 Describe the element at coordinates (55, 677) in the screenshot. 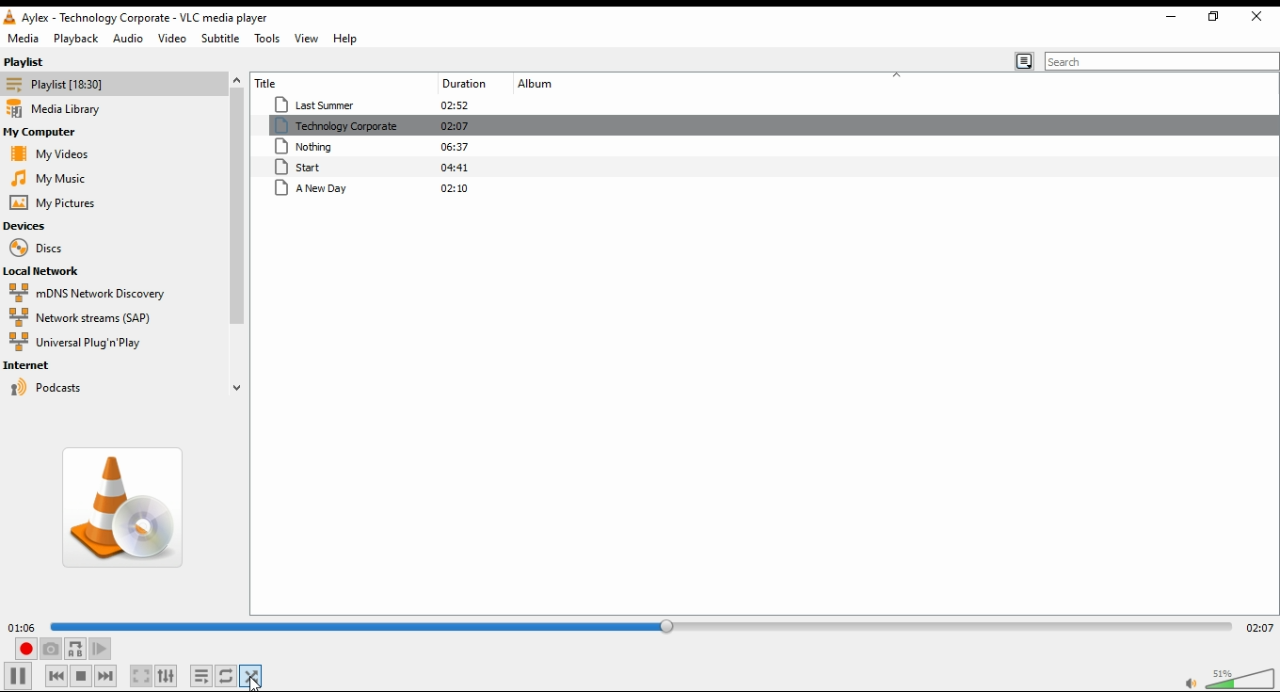

I see `previous media in list, skips backward when held` at that location.